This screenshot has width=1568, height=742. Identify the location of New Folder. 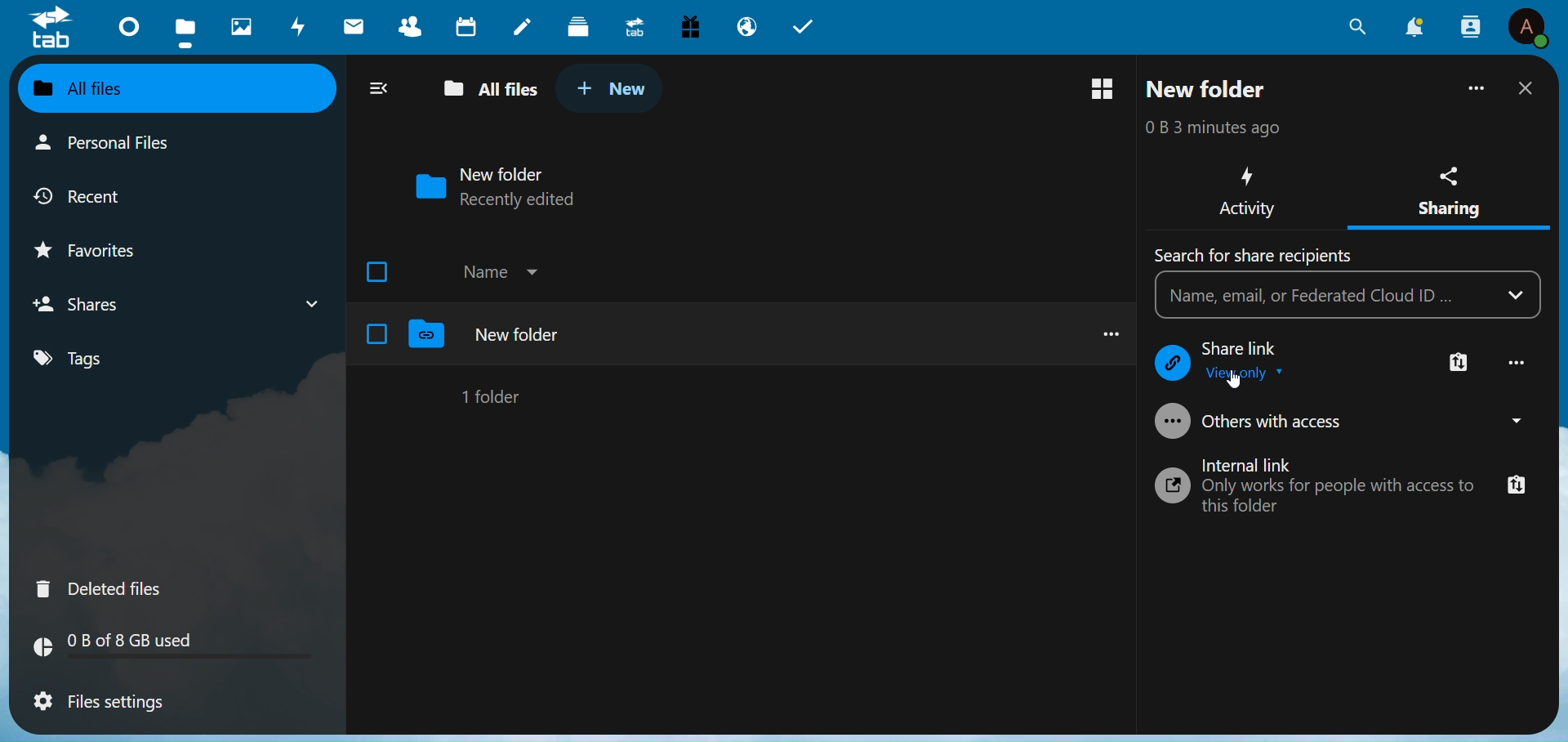
(519, 334).